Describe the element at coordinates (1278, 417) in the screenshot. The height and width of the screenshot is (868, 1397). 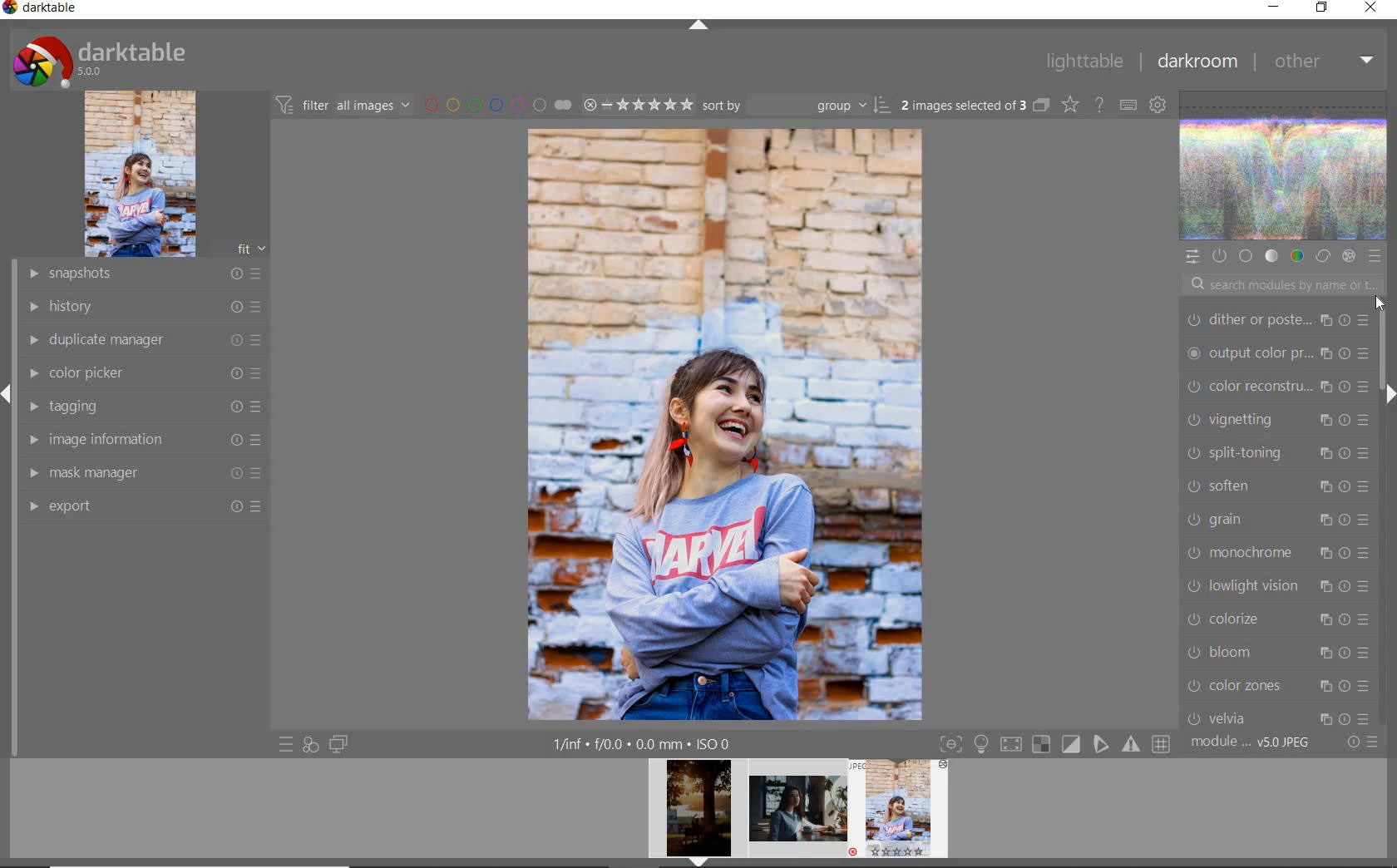
I see `exposure` at that location.